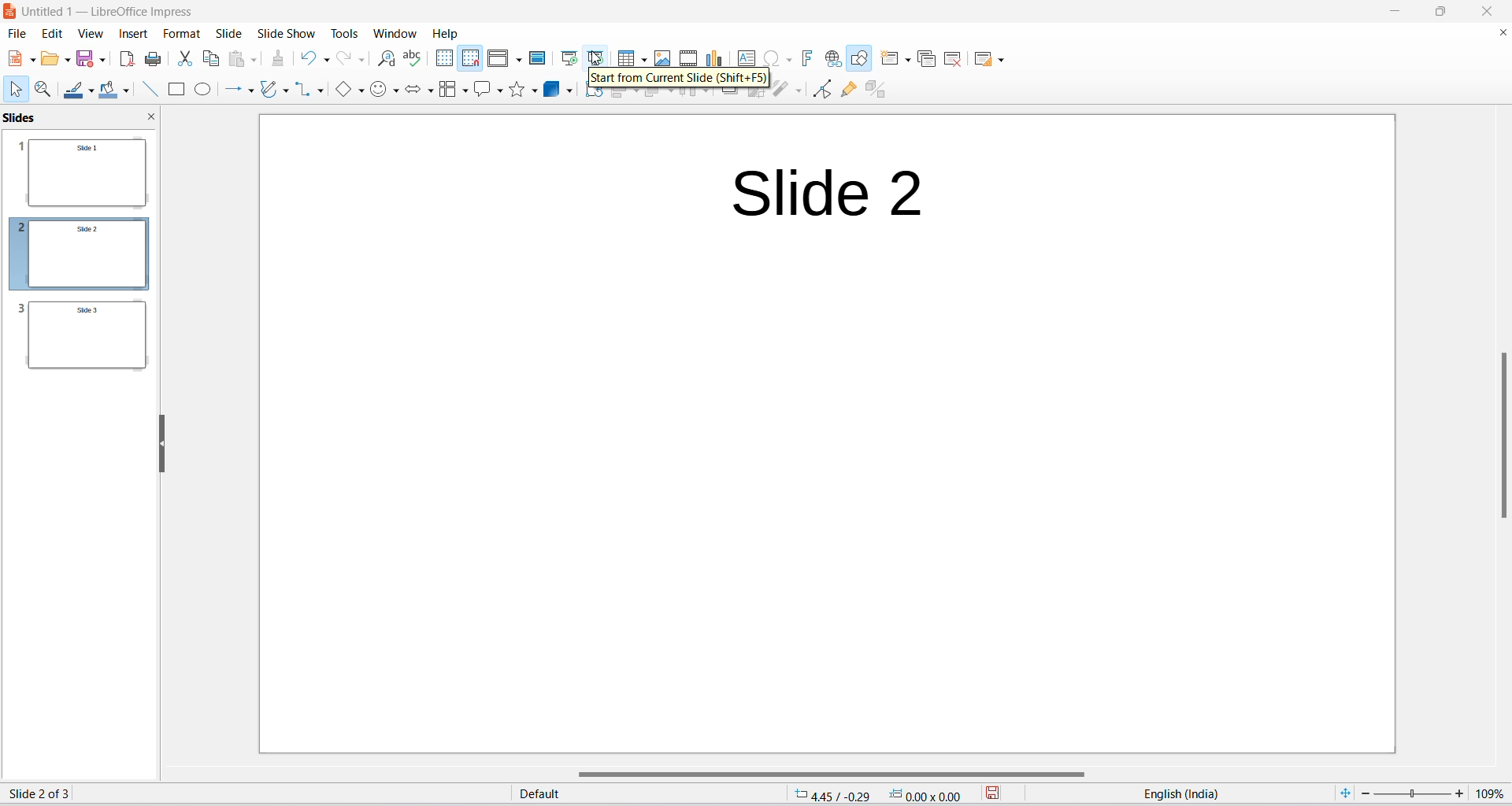  I want to click on slides text and close side bar button, so click(83, 117).